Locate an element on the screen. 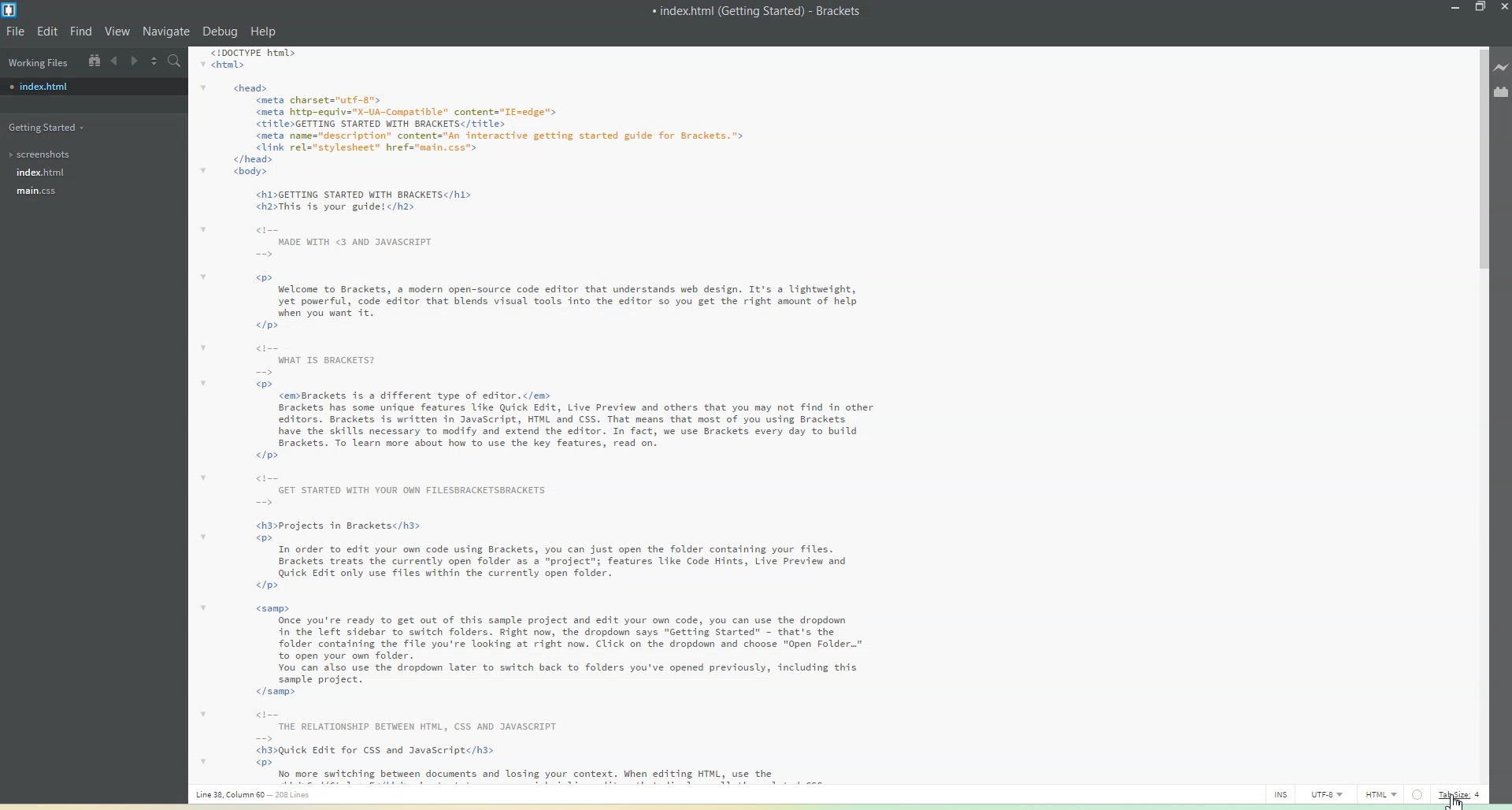  Getting Started is located at coordinates (48, 128).